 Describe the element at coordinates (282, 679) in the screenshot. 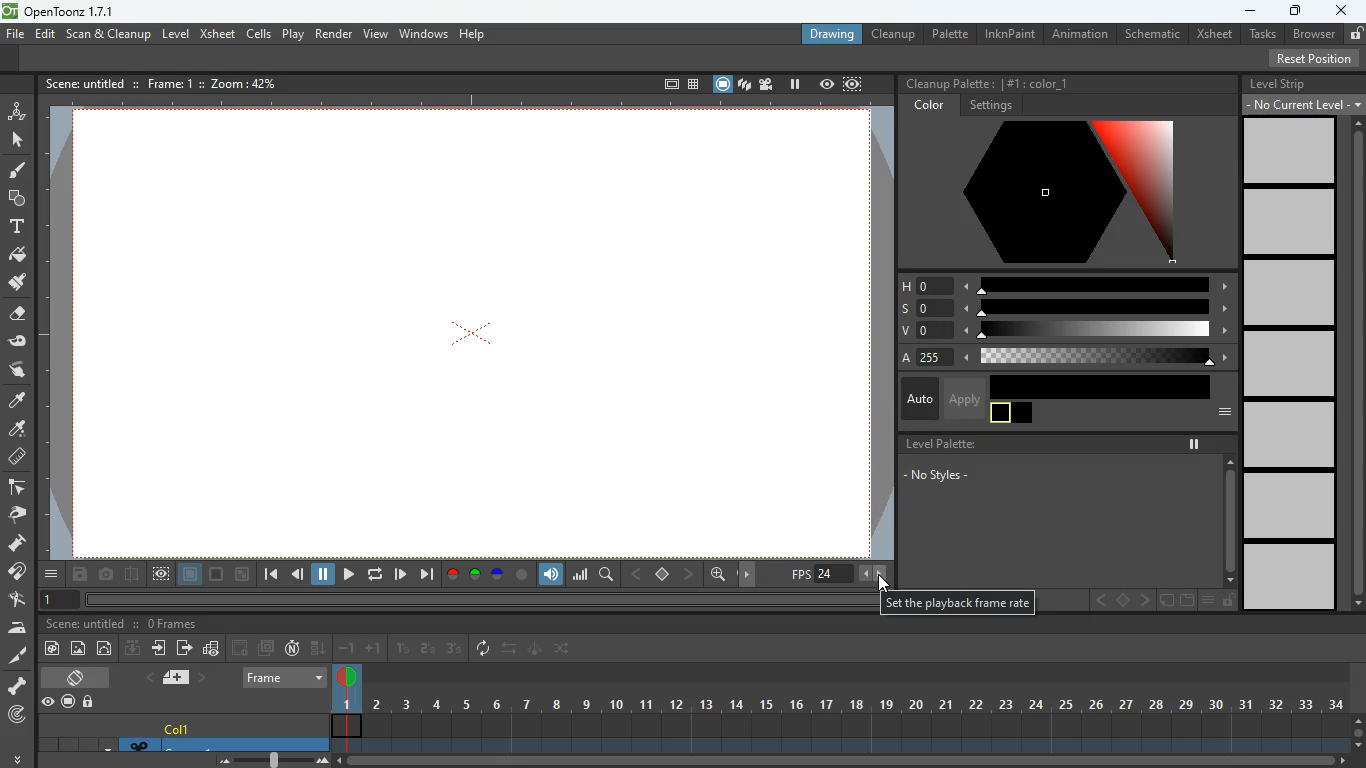

I see `frame` at that location.